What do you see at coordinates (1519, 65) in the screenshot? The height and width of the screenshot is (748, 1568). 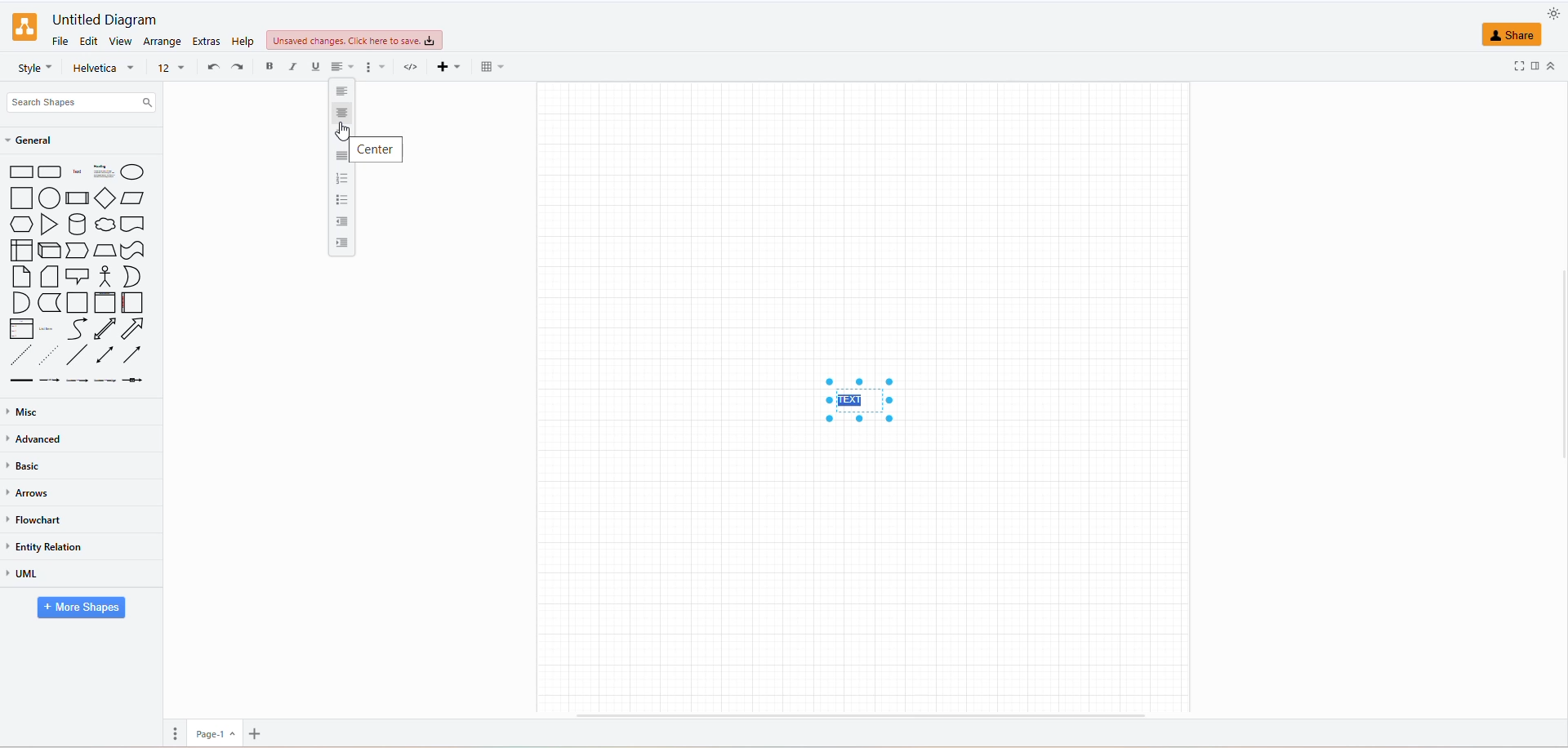 I see `fullscreen` at bounding box center [1519, 65].